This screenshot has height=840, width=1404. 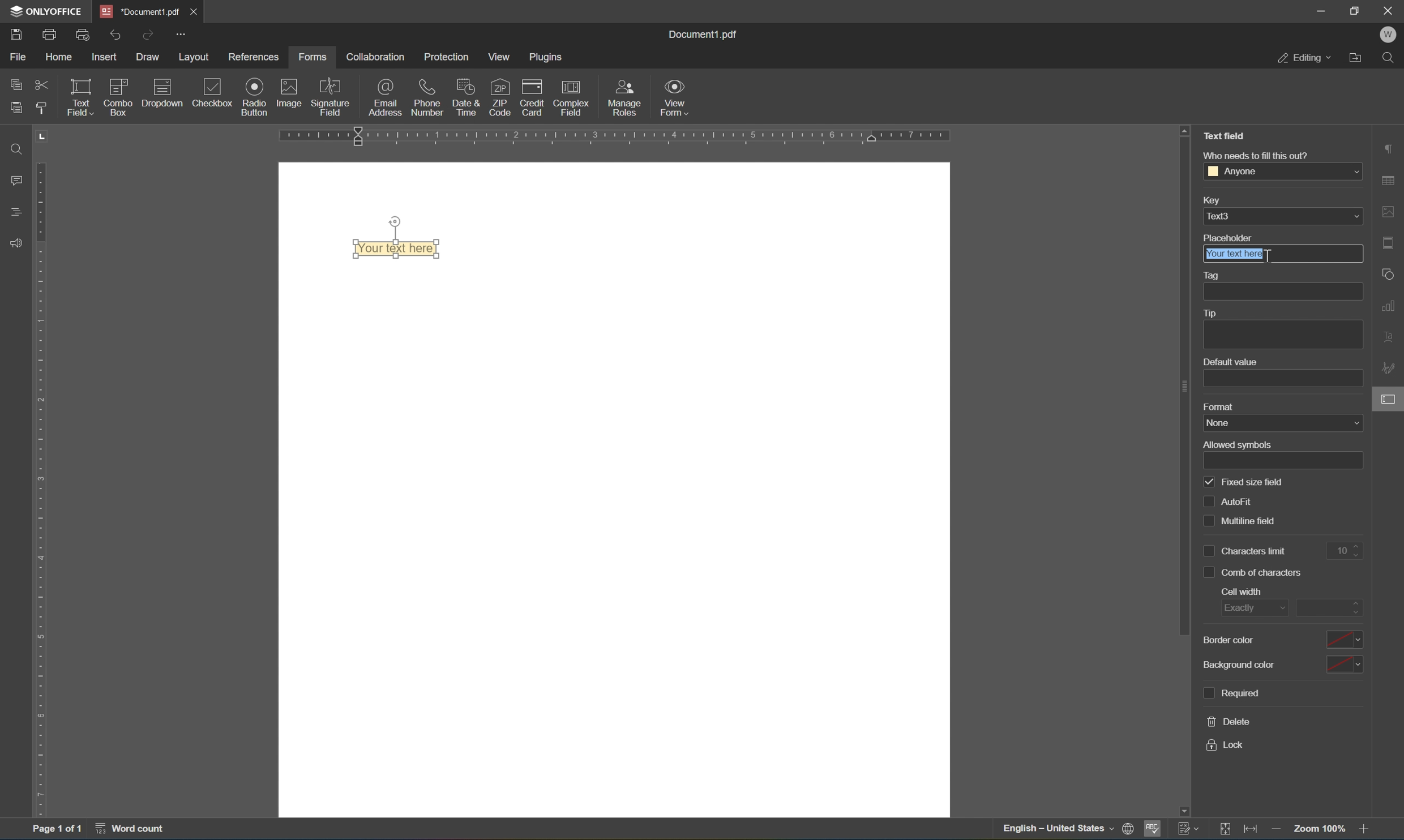 I want to click on references, so click(x=255, y=58).